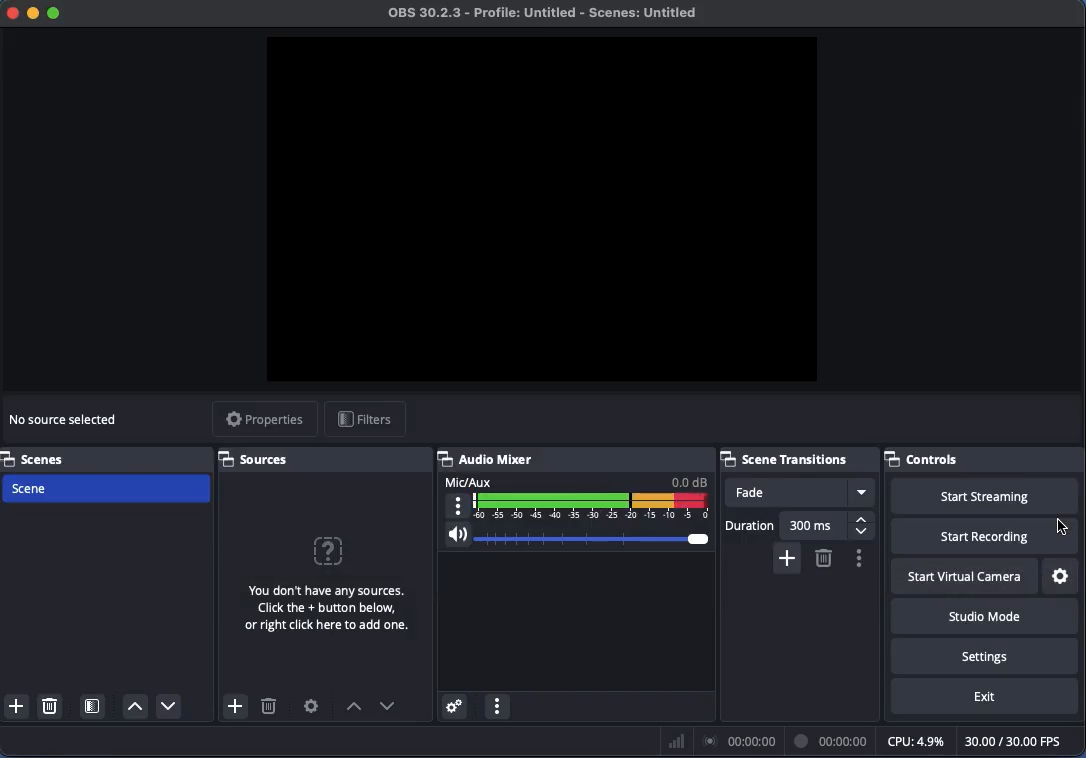 This screenshot has height=758, width=1086. What do you see at coordinates (453, 707) in the screenshot?
I see `Advanced audio properties` at bounding box center [453, 707].